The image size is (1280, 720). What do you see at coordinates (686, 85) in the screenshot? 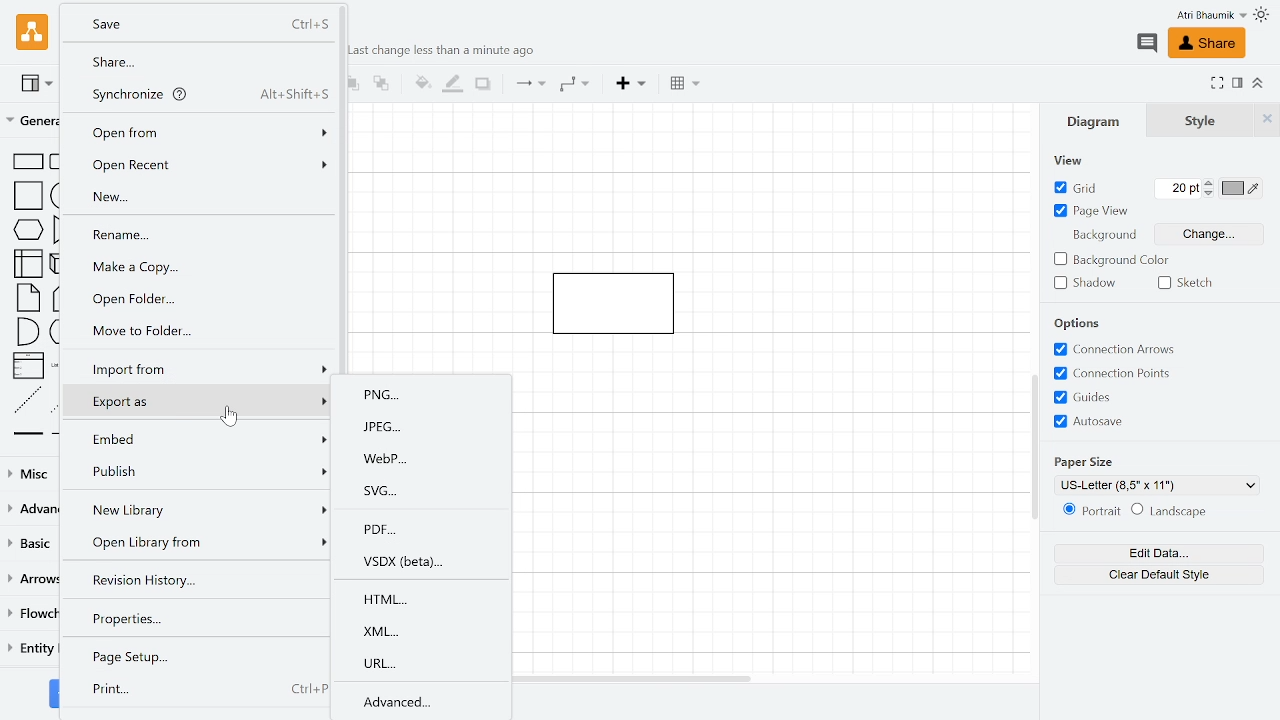
I see `Table` at bounding box center [686, 85].